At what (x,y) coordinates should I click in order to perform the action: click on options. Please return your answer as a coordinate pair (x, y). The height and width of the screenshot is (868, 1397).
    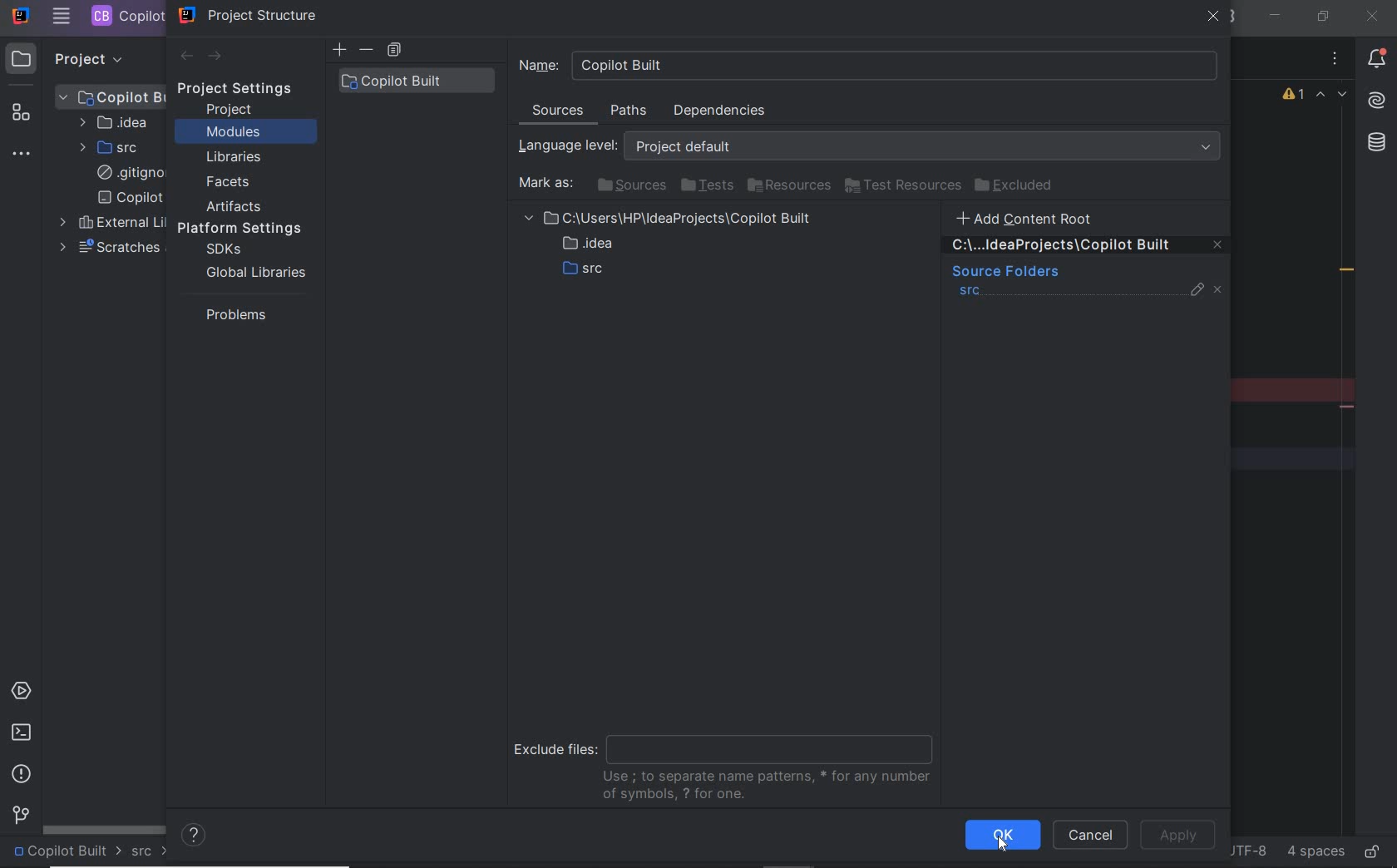
    Looking at the image, I should click on (1335, 61).